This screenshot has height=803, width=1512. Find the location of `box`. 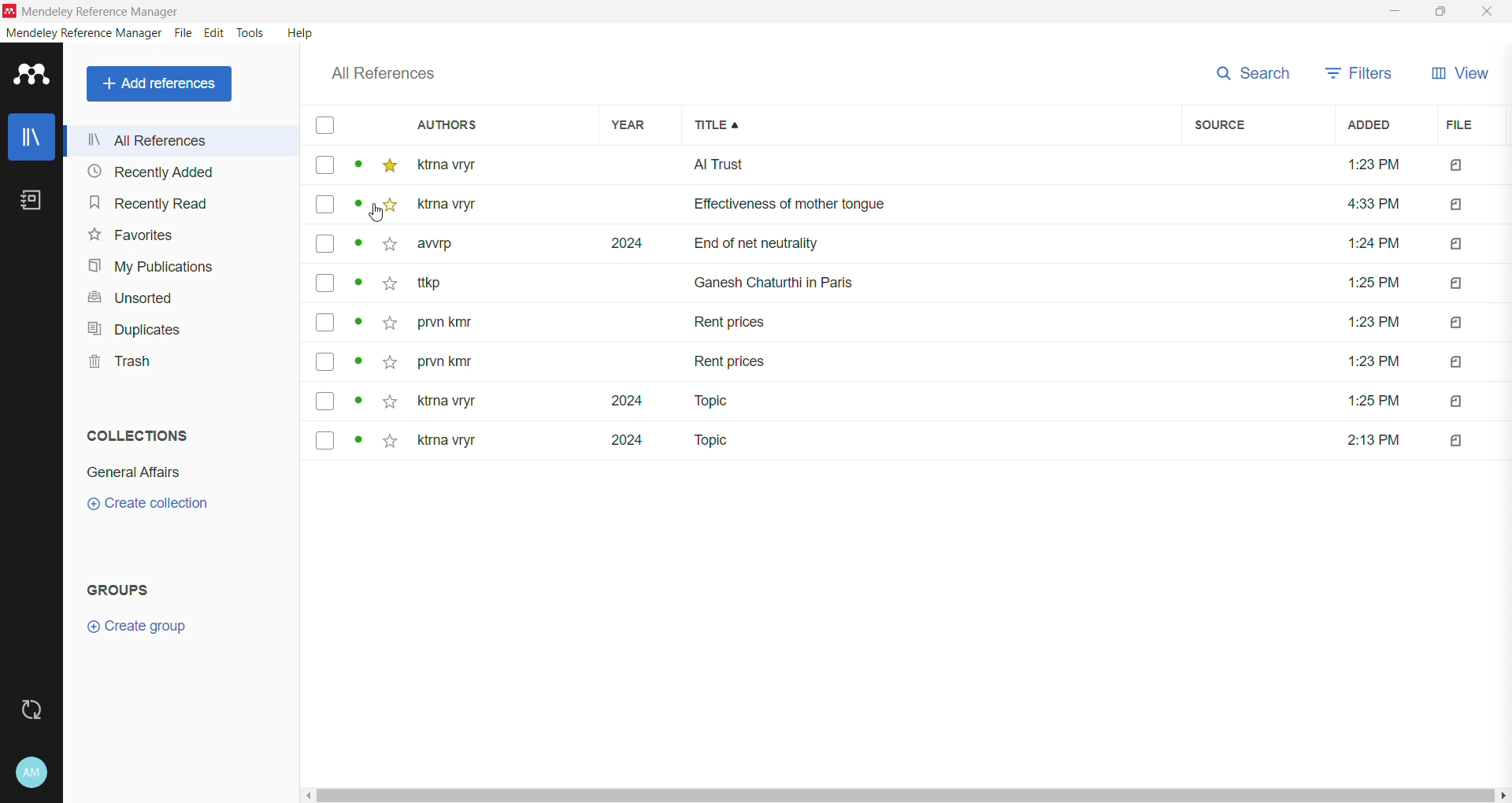

box is located at coordinates (330, 401).